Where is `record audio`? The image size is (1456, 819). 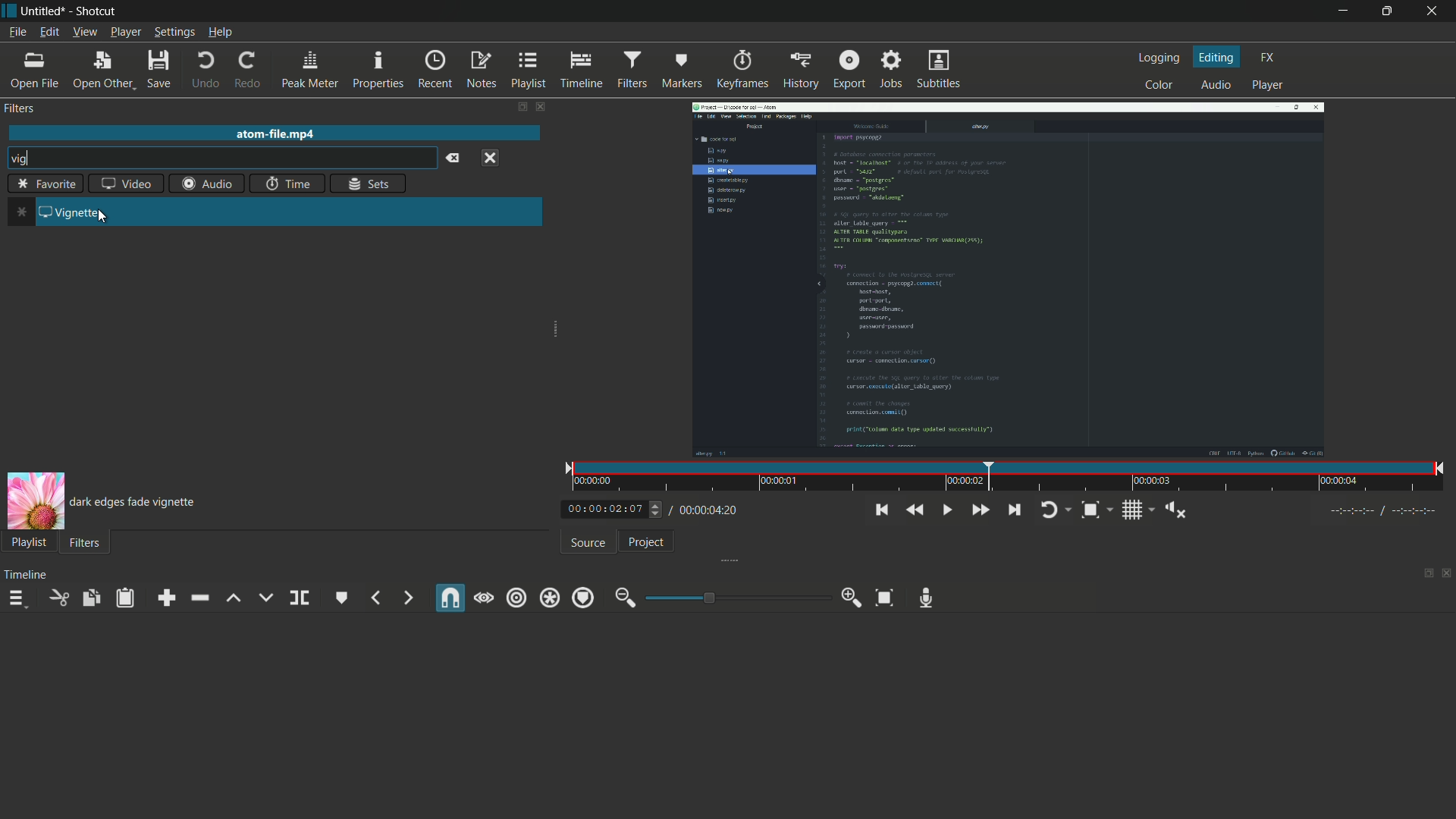 record audio is located at coordinates (927, 598).